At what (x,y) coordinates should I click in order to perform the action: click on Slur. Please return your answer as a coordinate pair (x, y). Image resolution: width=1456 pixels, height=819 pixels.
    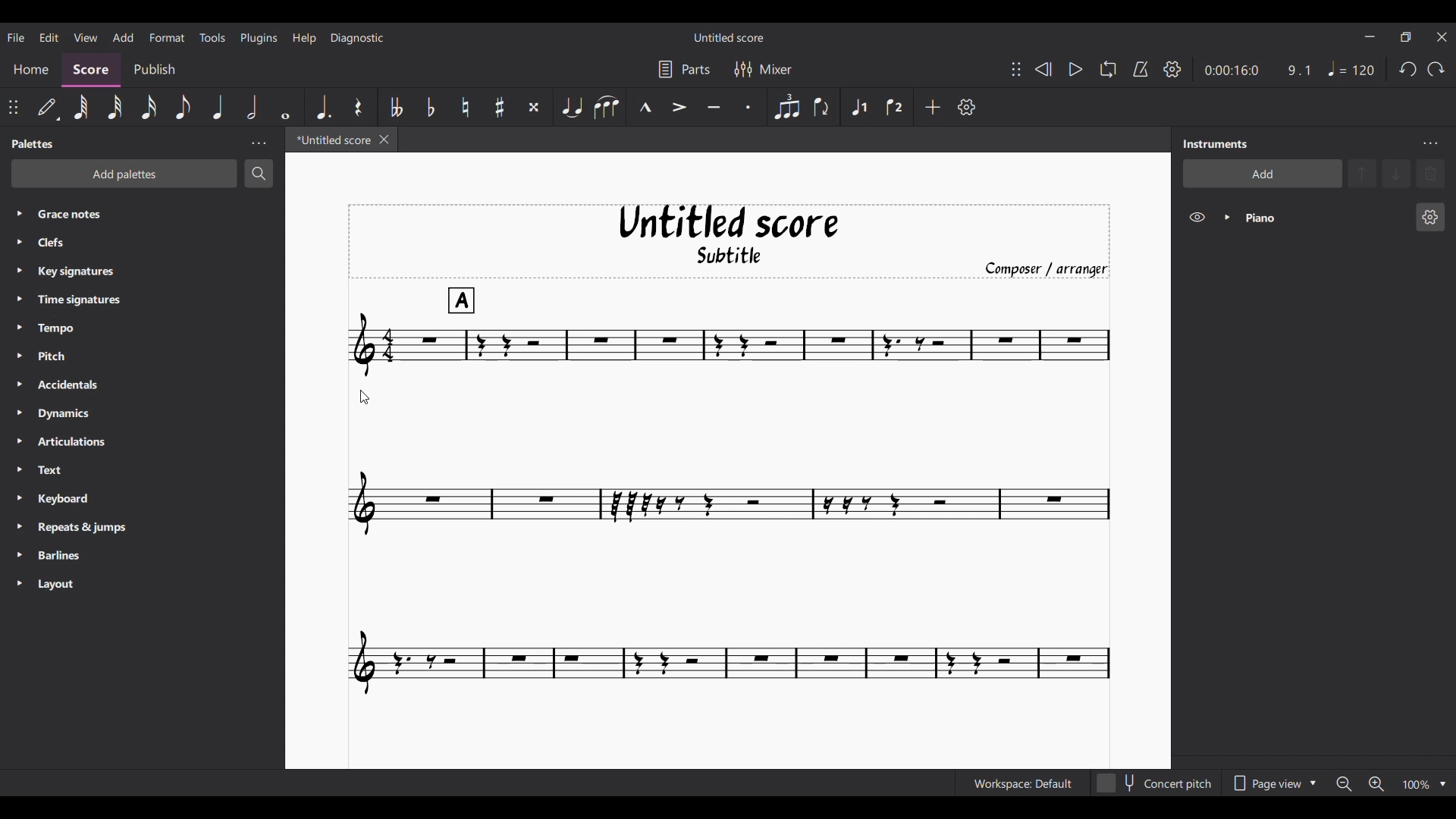
    Looking at the image, I should click on (606, 107).